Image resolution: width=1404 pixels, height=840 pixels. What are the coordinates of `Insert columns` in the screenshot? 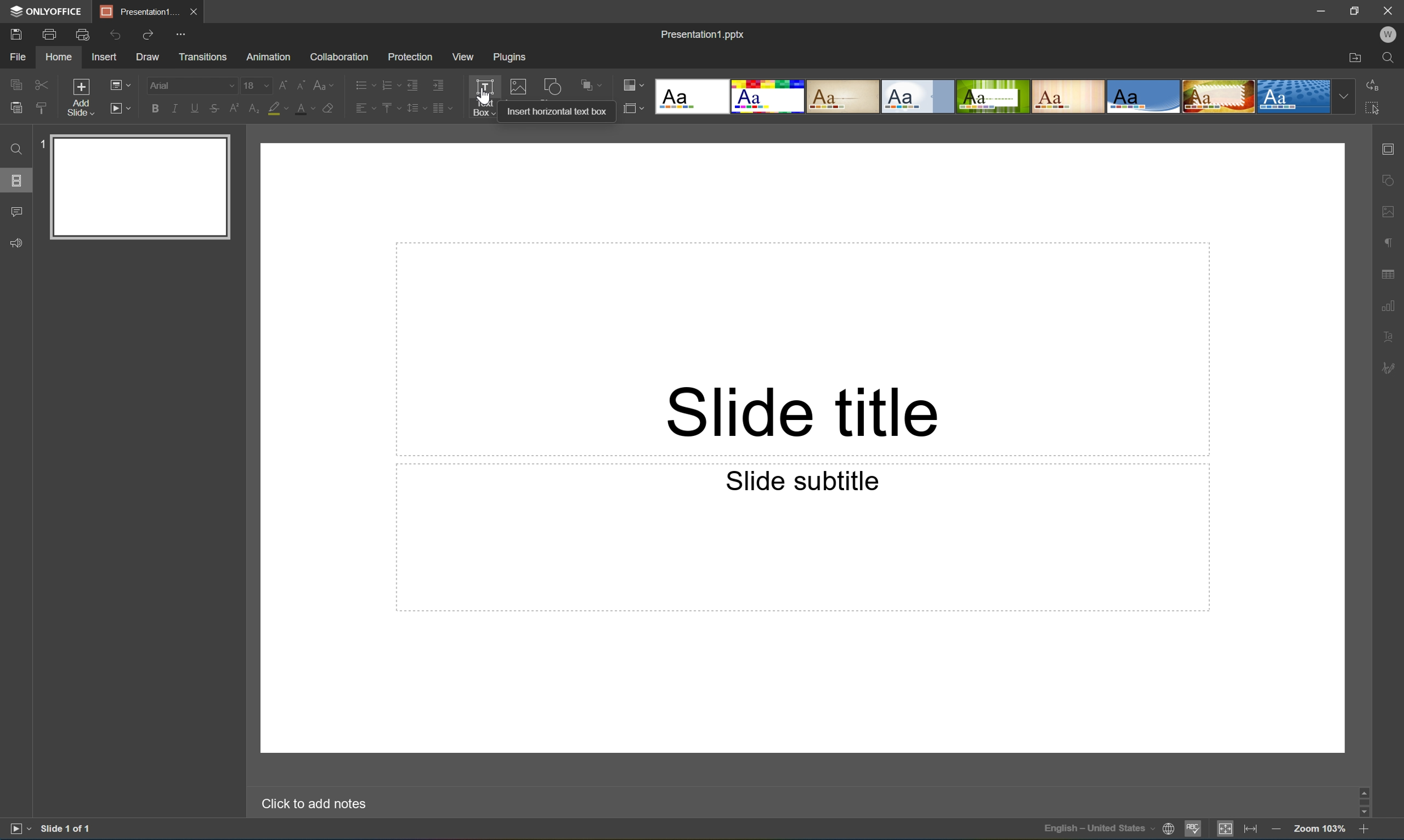 It's located at (442, 108).